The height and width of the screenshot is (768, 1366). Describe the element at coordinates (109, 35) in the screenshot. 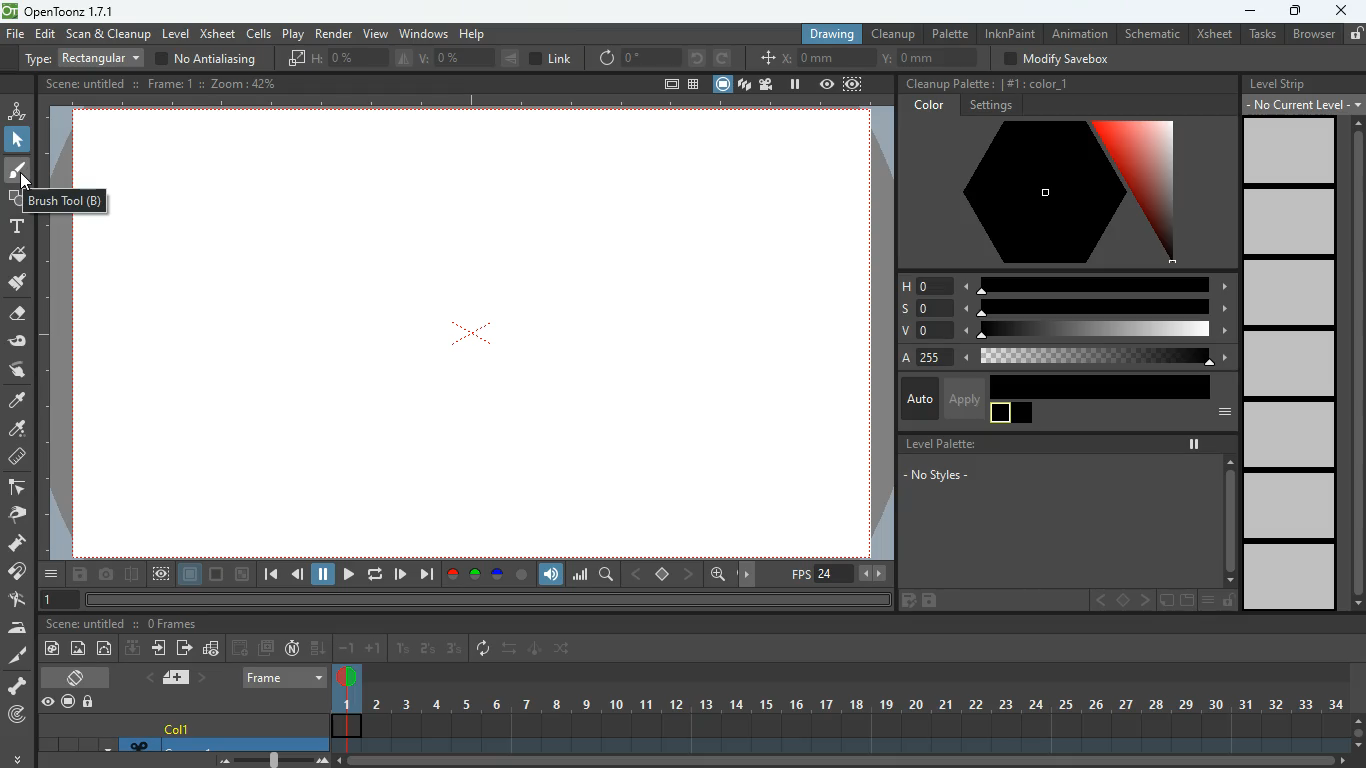

I see `scan & cleanup` at that location.